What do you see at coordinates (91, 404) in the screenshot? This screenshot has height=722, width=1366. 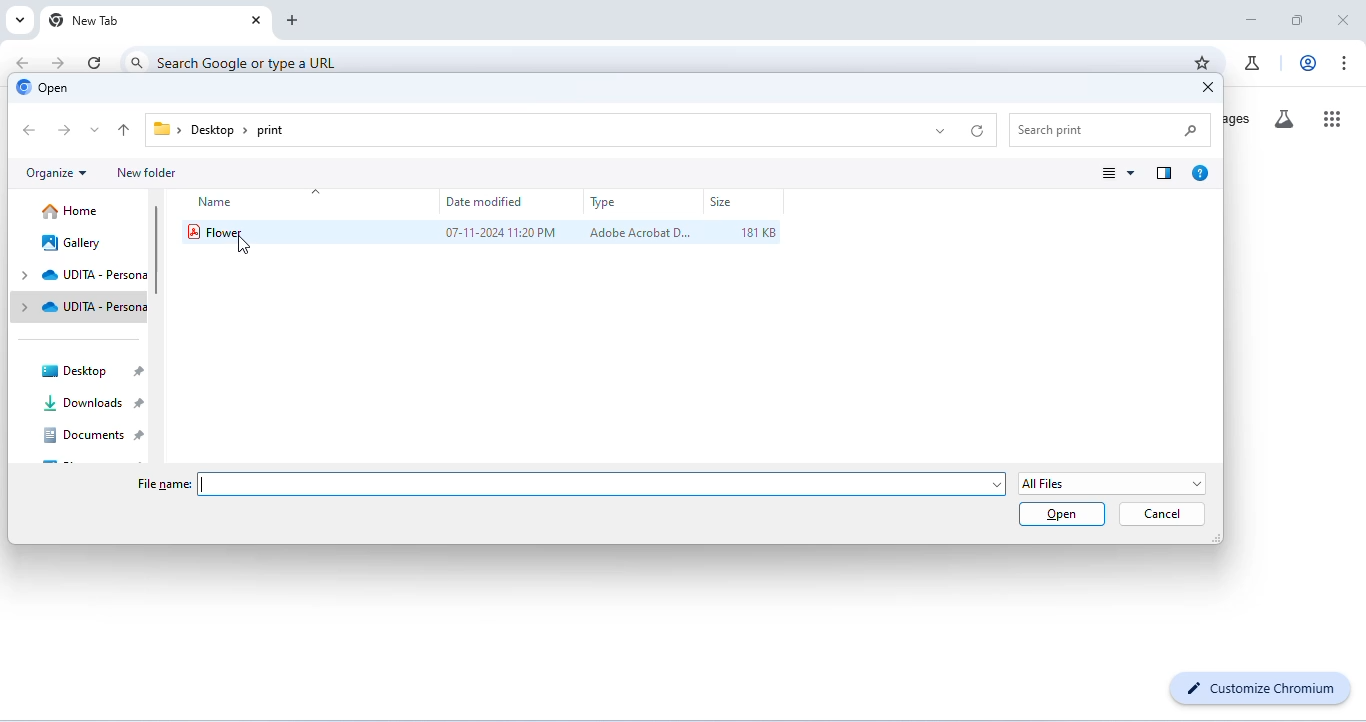 I see `downloads` at bounding box center [91, 404].